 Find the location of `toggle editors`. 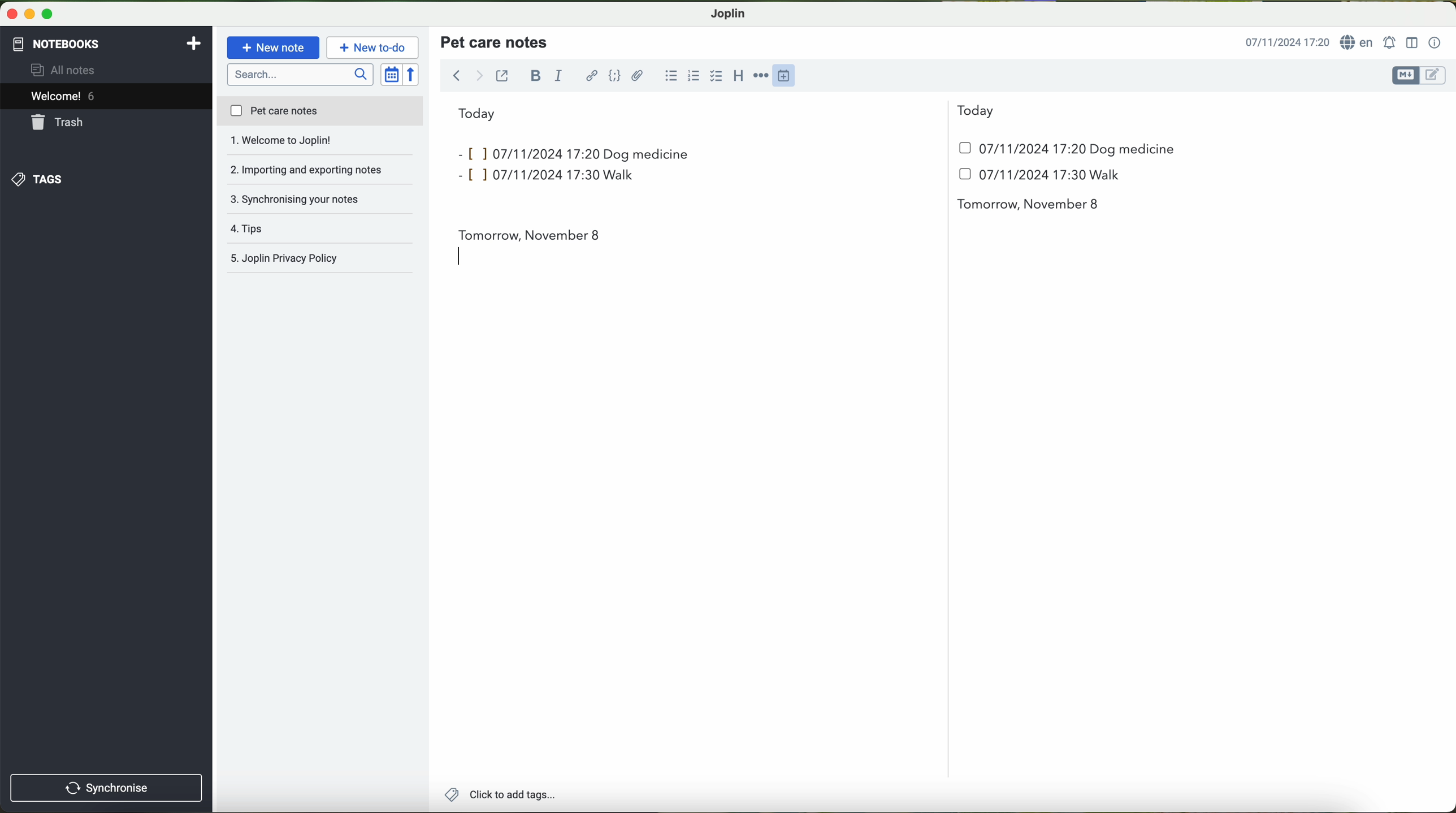

toggle editors is located at coordinates (1418, 76).